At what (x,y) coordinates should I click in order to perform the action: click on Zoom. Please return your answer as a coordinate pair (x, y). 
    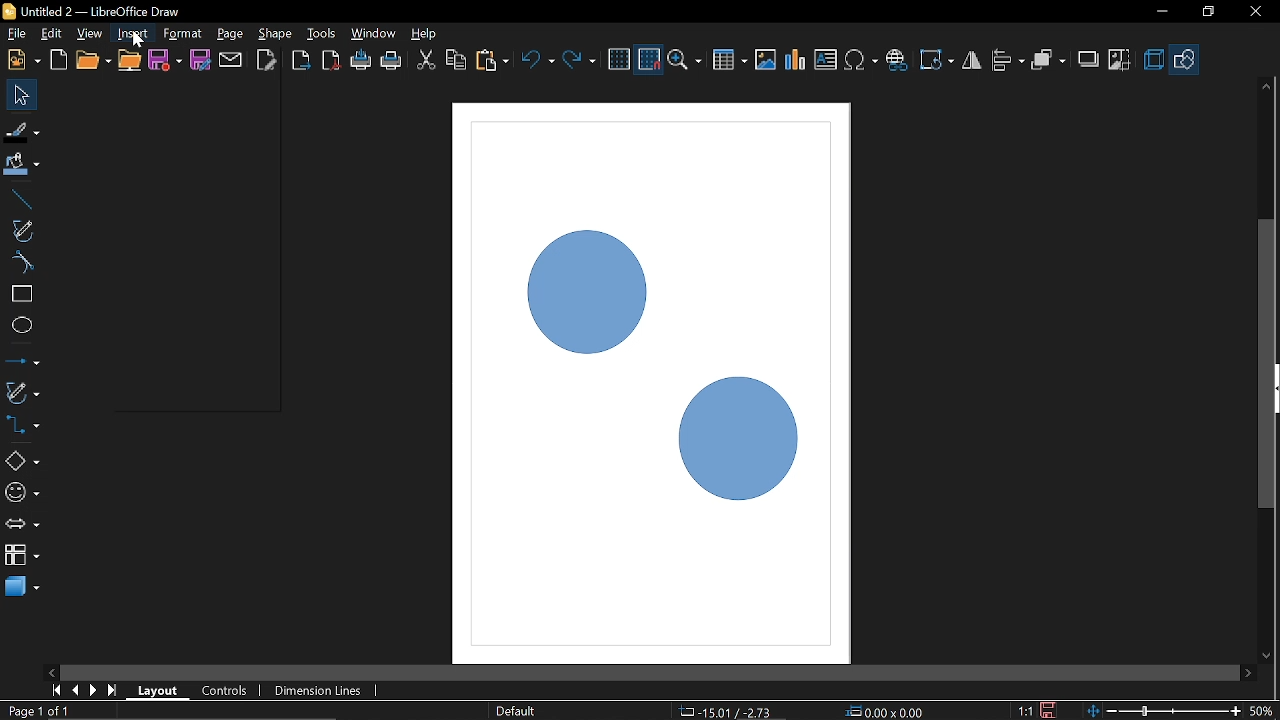
    Looking at the image, I should click on (687, 61).